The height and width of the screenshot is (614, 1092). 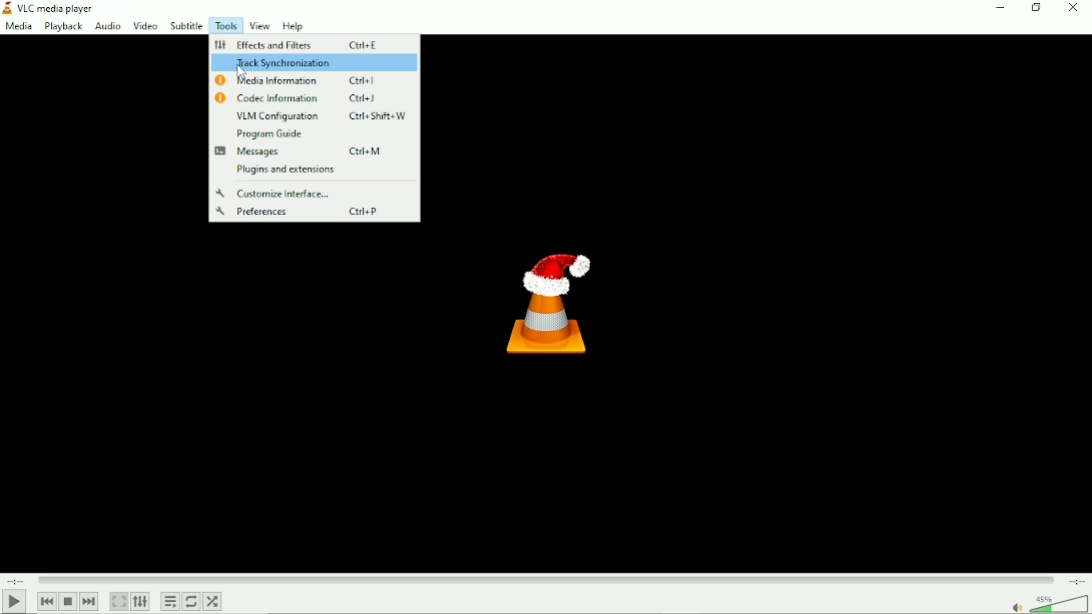 I want to click on Cursor, so click(x=243, y=76).